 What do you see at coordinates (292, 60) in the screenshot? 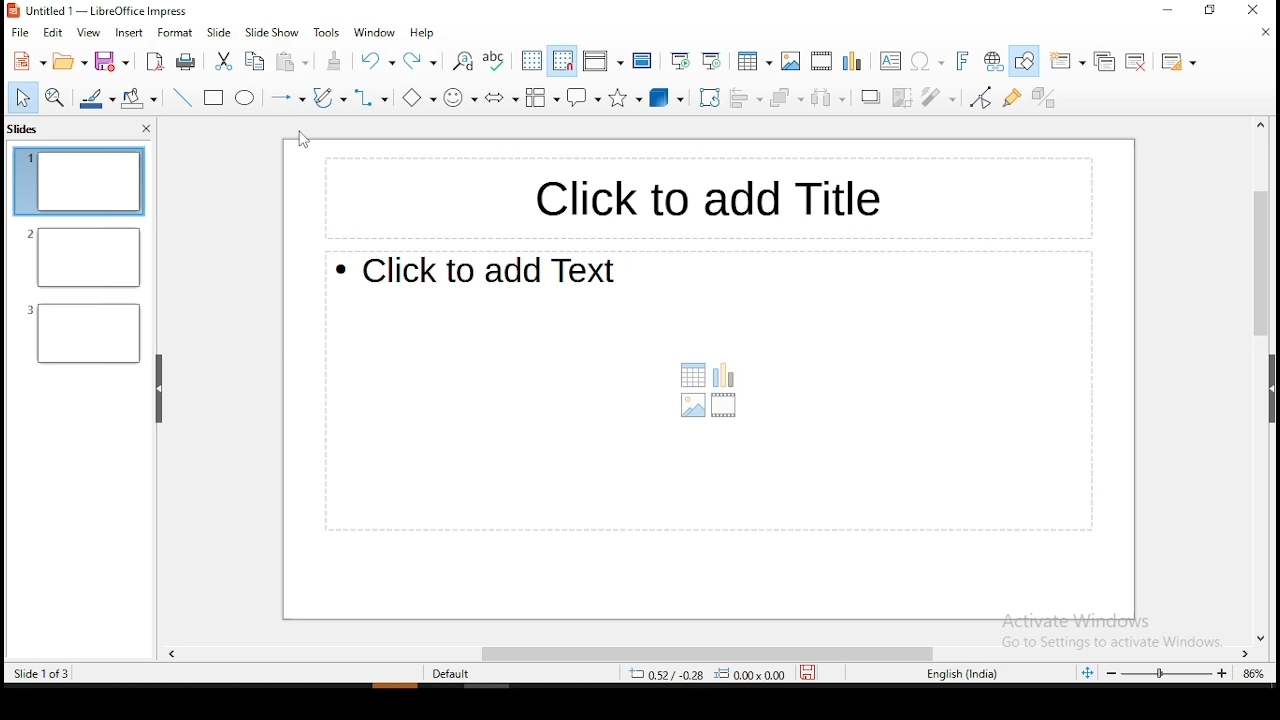
I see `paste` at bounding box center [292, 60].